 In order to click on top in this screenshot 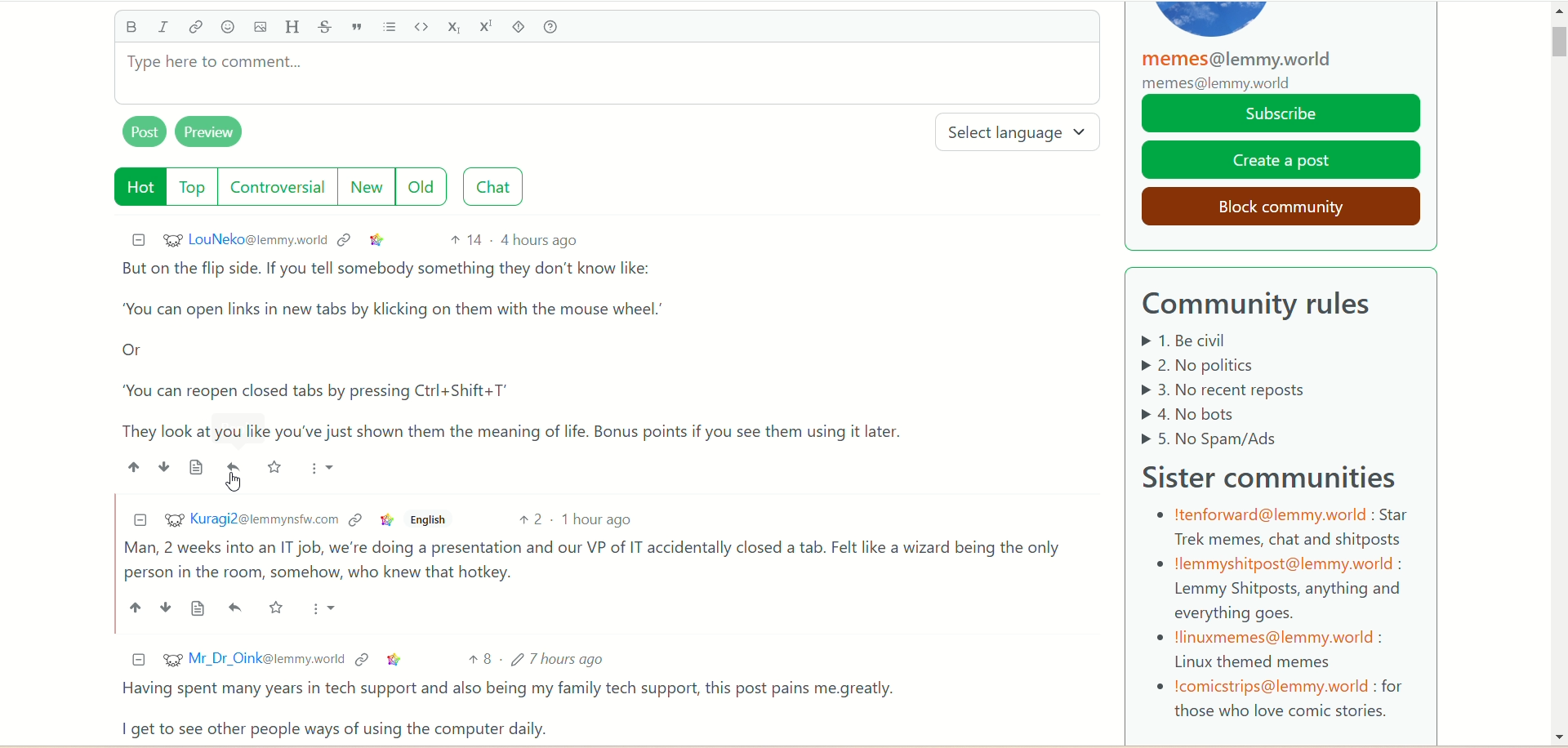, I will do `click(193, 189)`.